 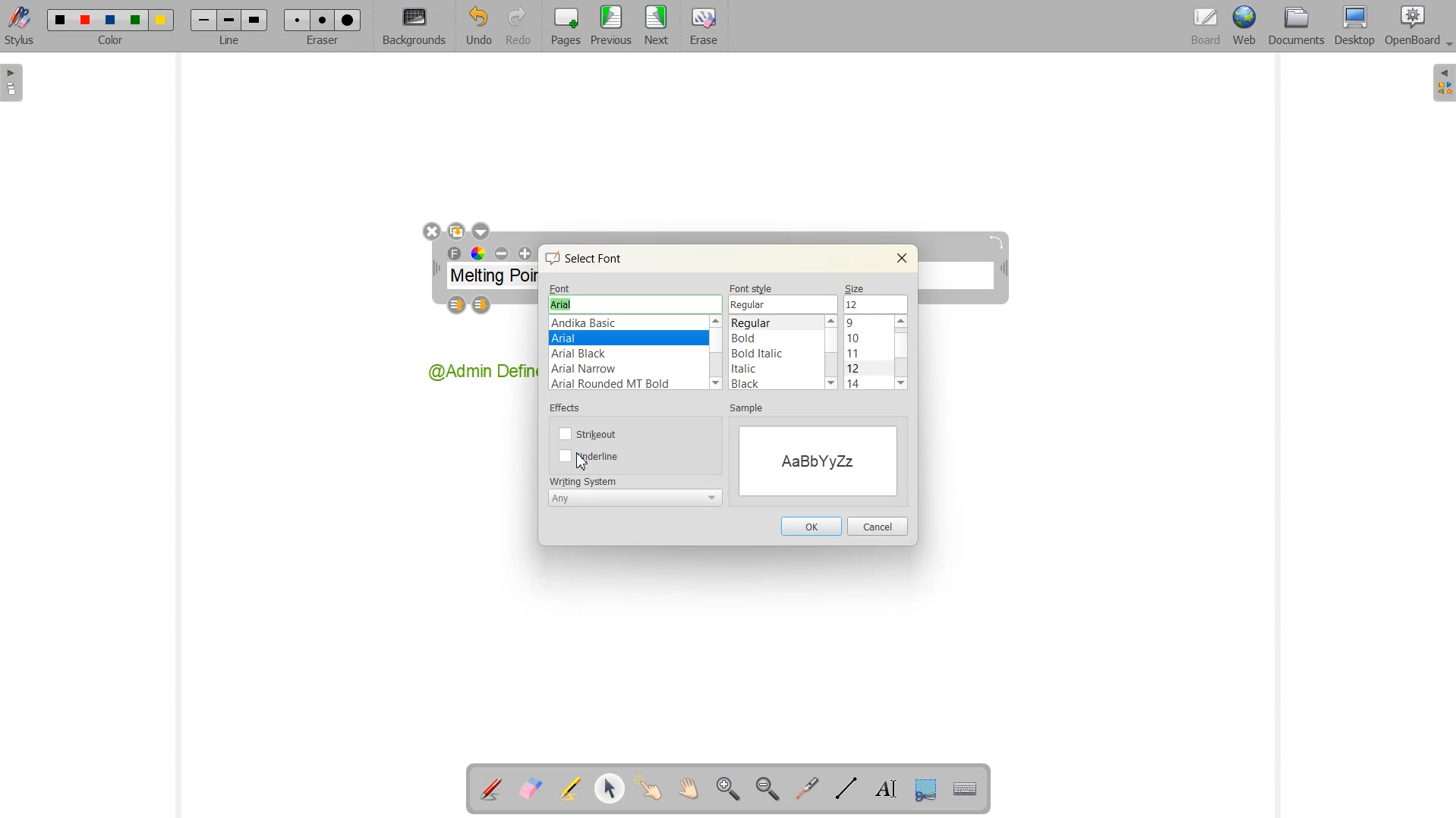 I want to click on Sidebar, so click(x=1442, y=83).